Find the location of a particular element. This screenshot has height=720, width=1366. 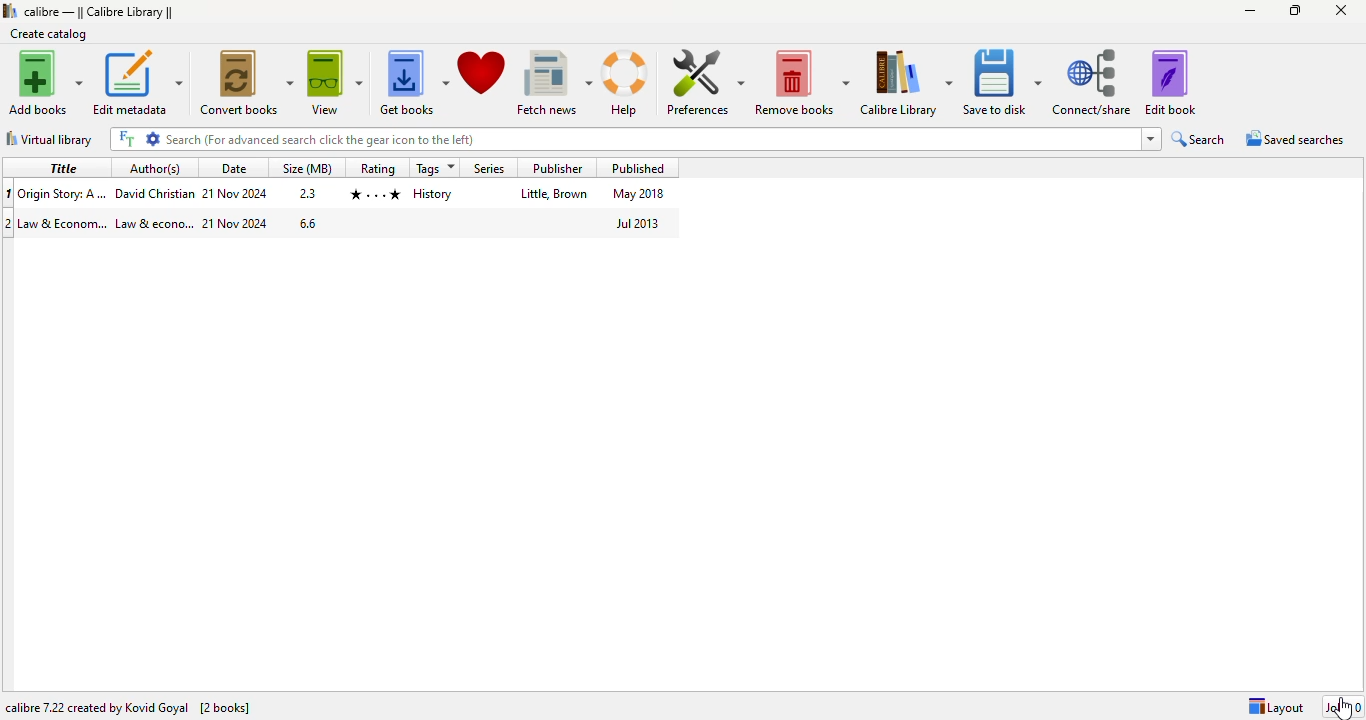

rating is located at coordinates (377, 167).